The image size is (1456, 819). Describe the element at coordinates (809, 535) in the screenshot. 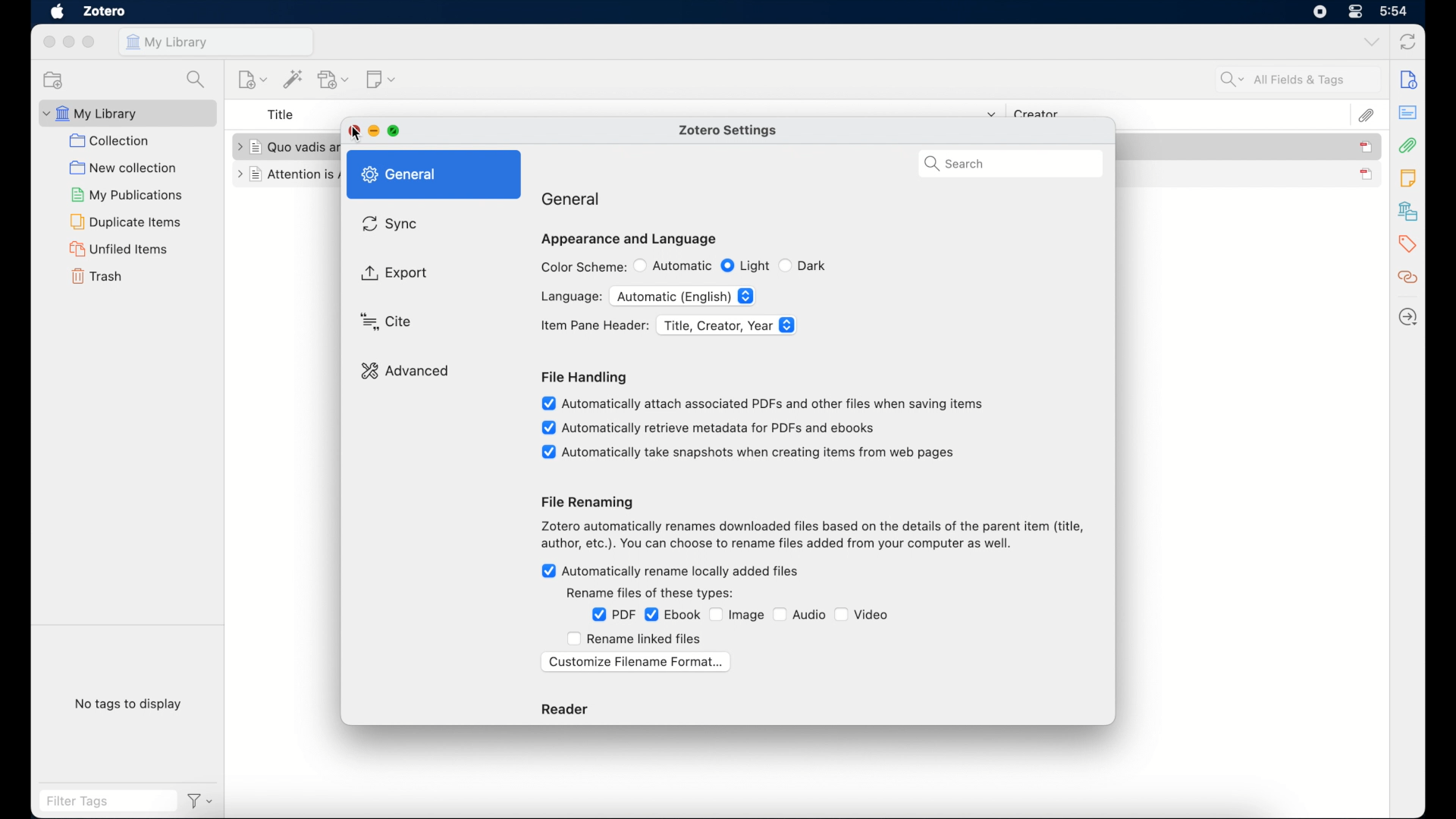

I see `file renaming info` at that location.